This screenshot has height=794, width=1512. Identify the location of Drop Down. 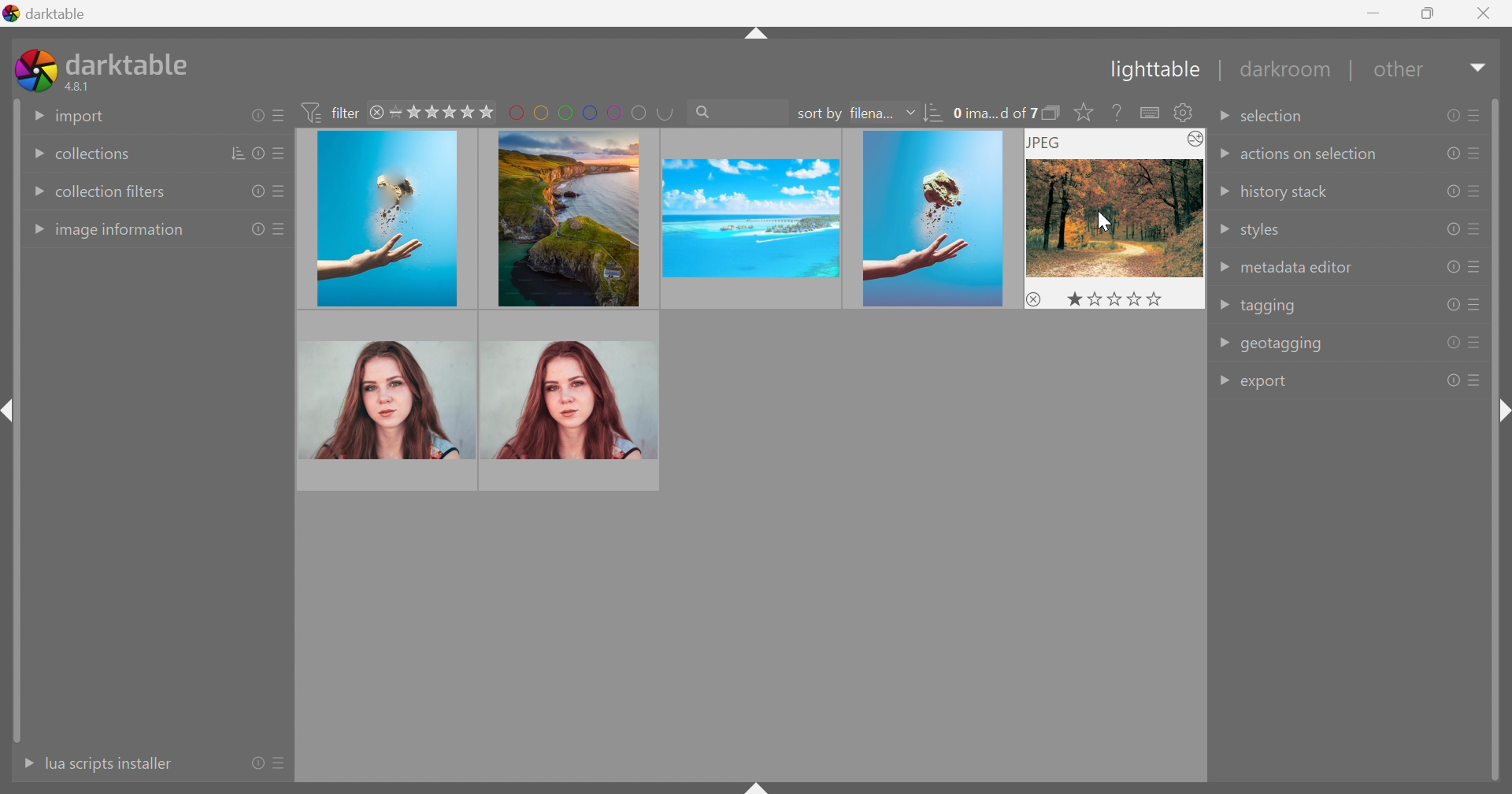
(35, 230).